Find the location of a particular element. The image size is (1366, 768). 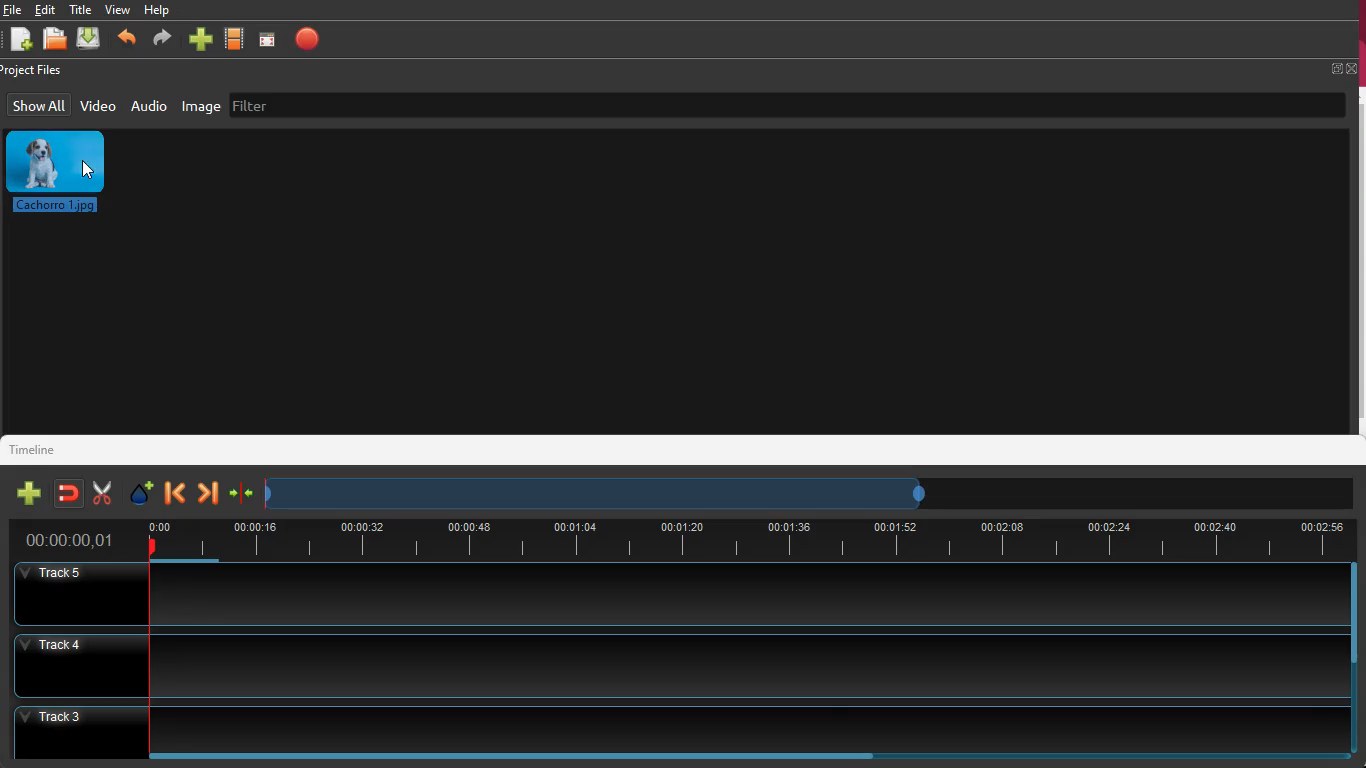

download is located at coordinates (90, 37).